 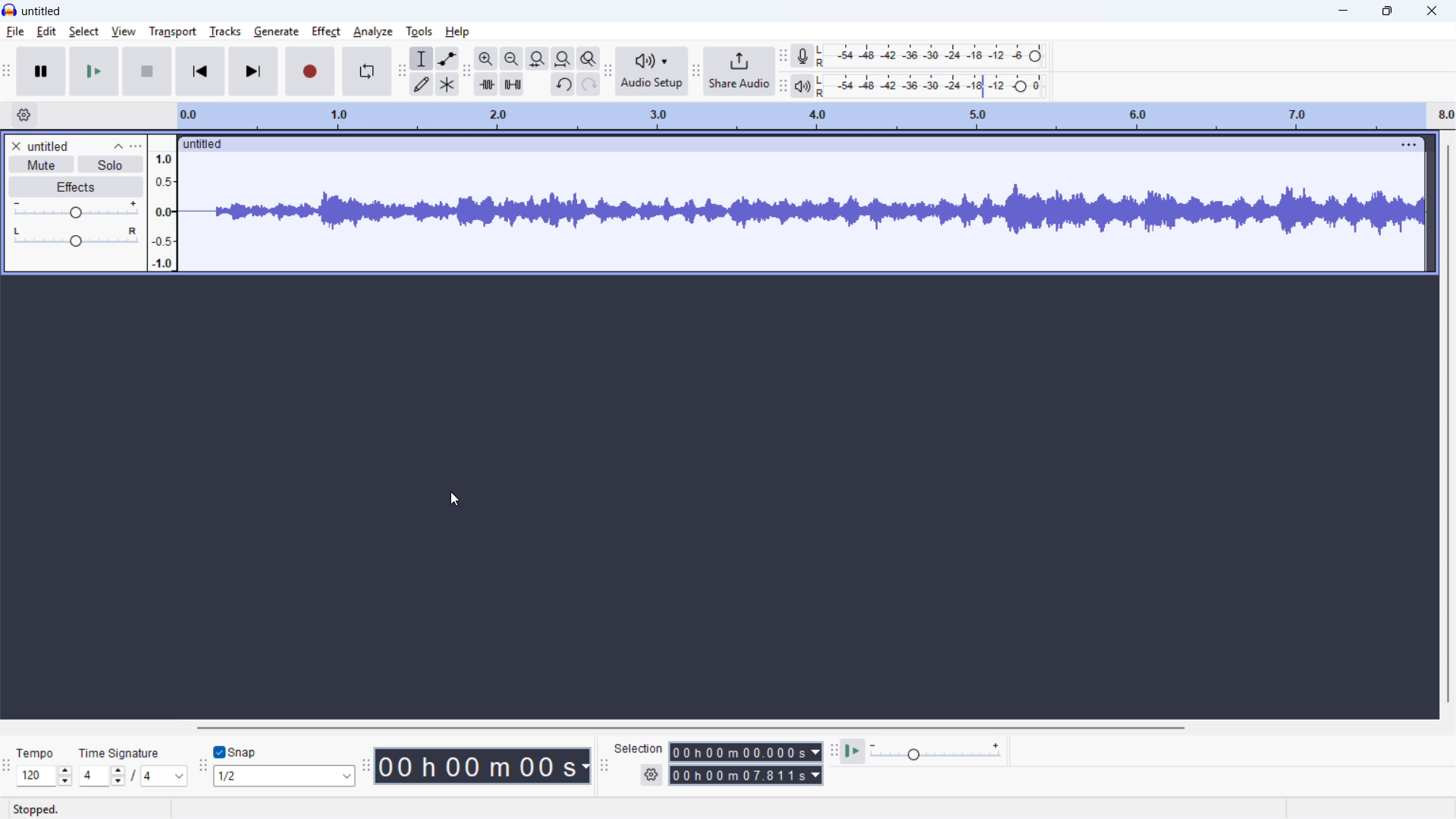 I want to click on timestamp, so click(x=484, y=766).